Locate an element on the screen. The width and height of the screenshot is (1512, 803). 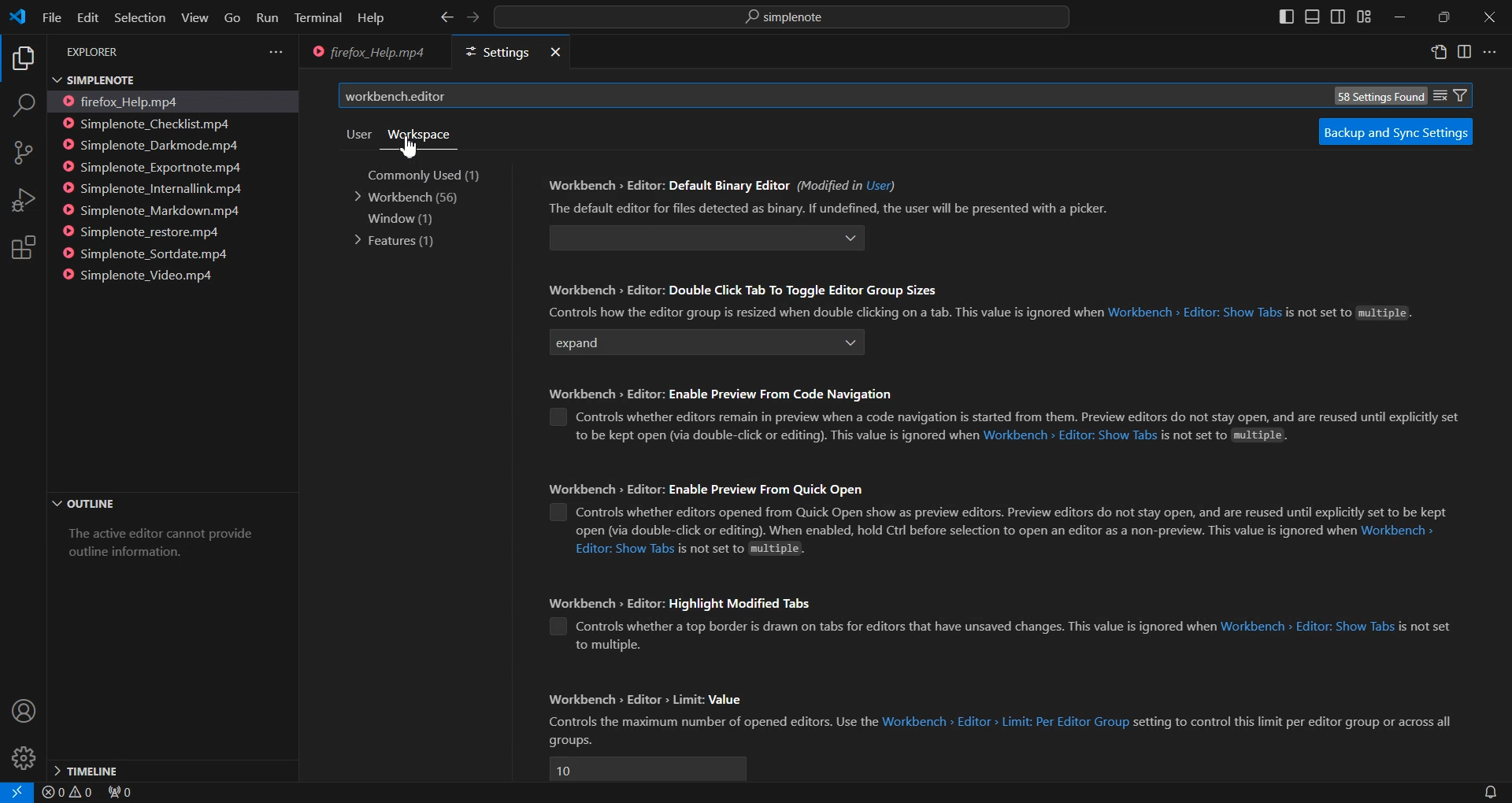
Simplenote_Video.mp4 is located at coordinates (146, 274).